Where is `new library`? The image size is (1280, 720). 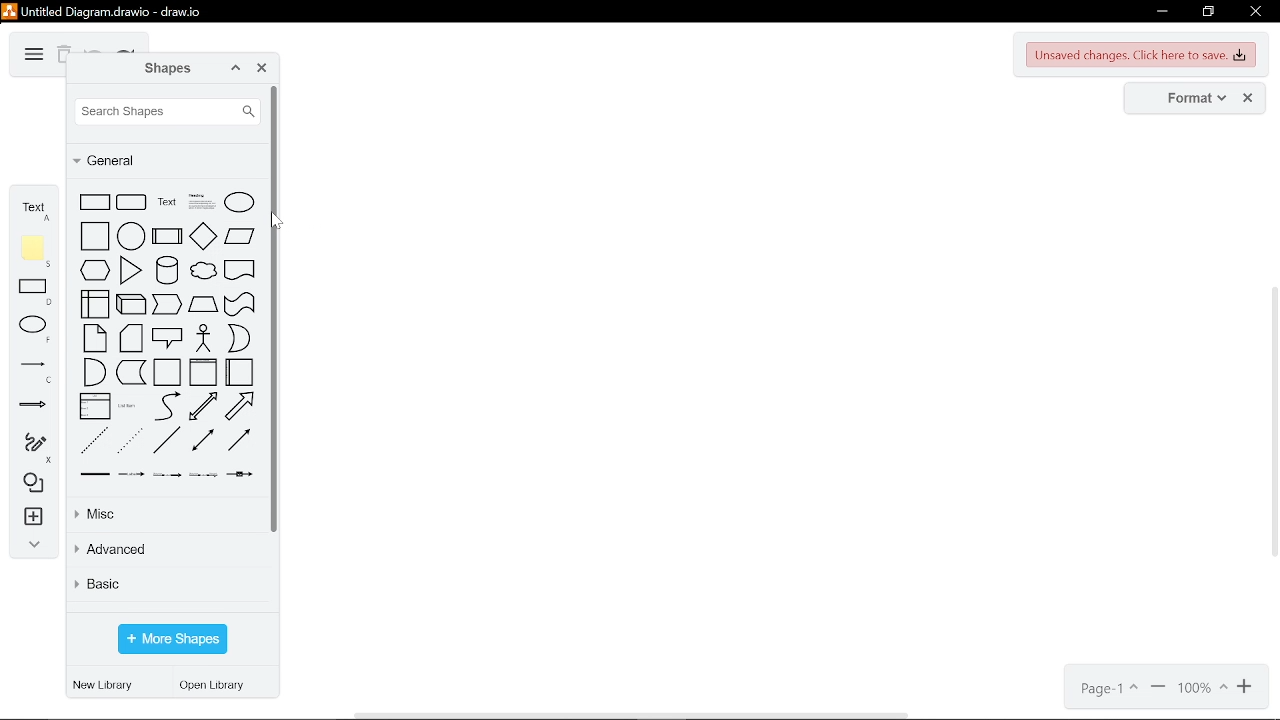 new library is located at coordinates (106, 686).